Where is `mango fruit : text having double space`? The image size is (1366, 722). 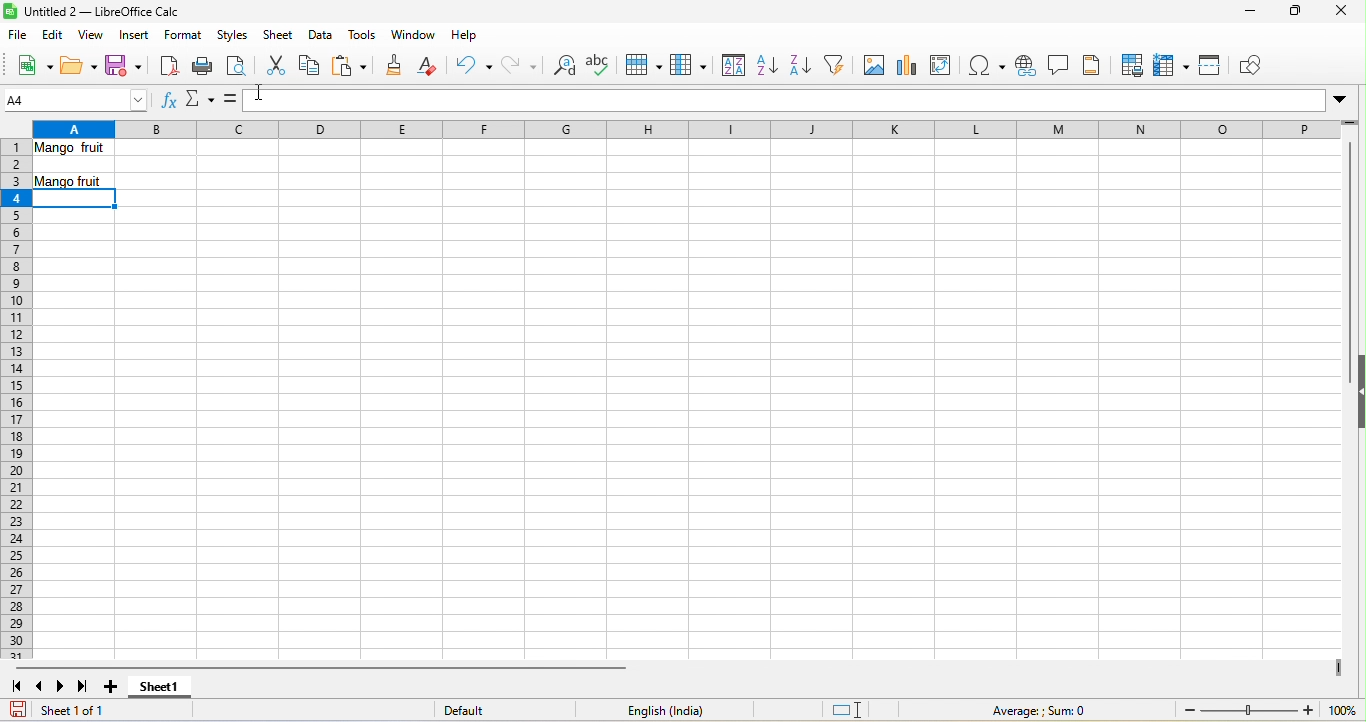 mango fruit : text having double space is located at coordinates (77, 151).